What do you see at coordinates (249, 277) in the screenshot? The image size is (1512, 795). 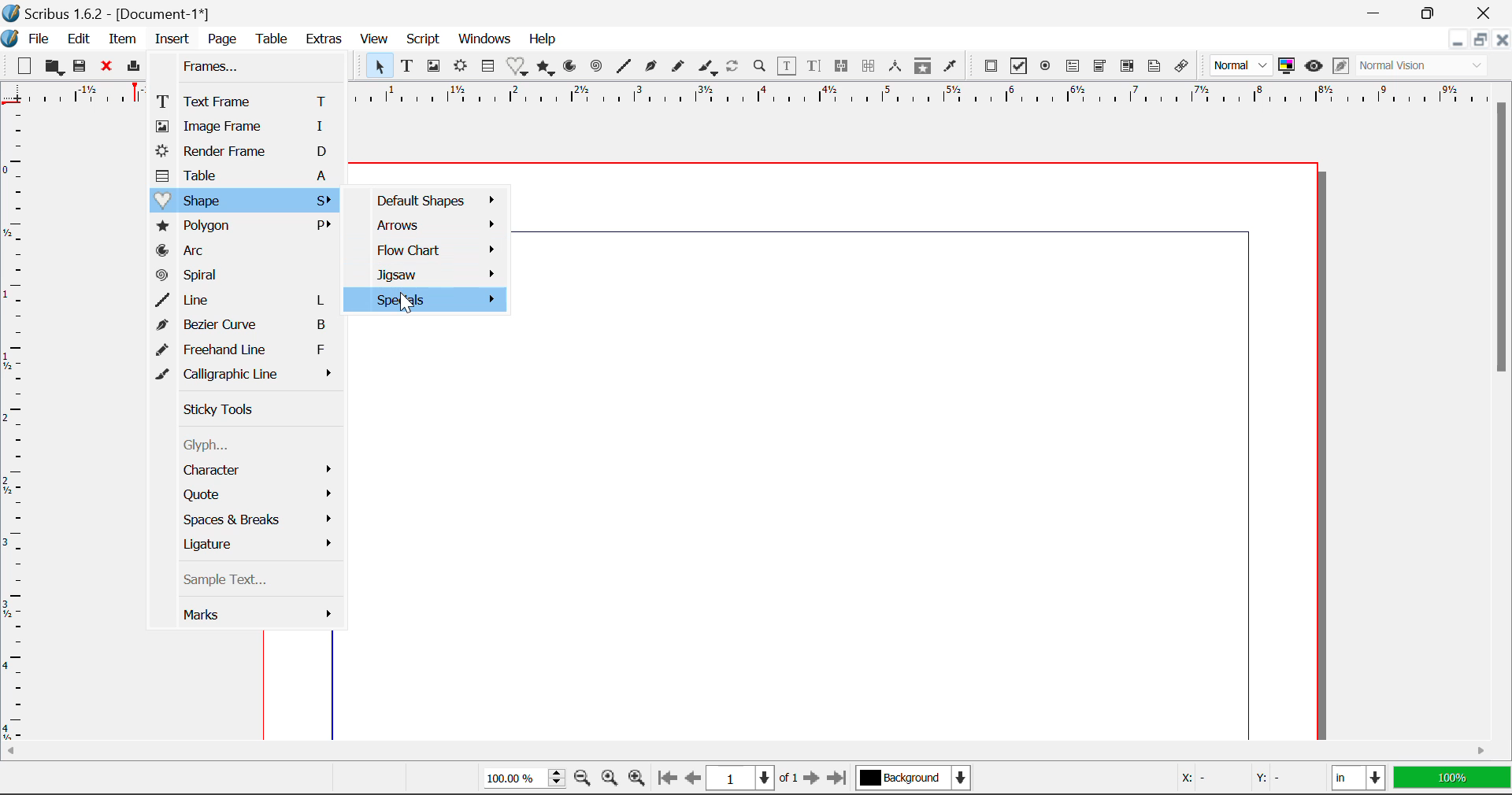 I see `Spiral` at bounding box center [249, 277].